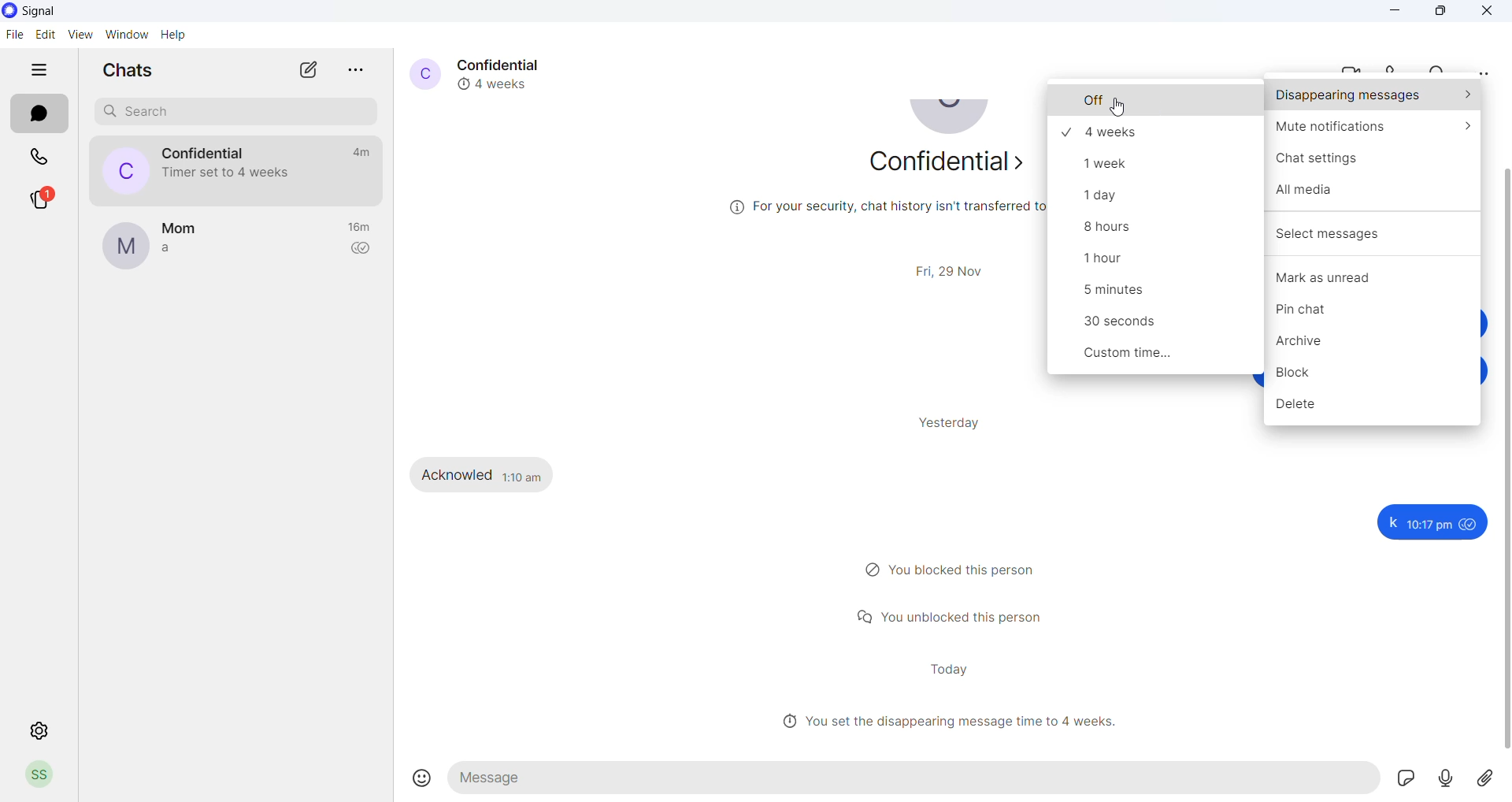 This screenshot has height=802, width=1512. I want to click on emojis, so click(422, 777).